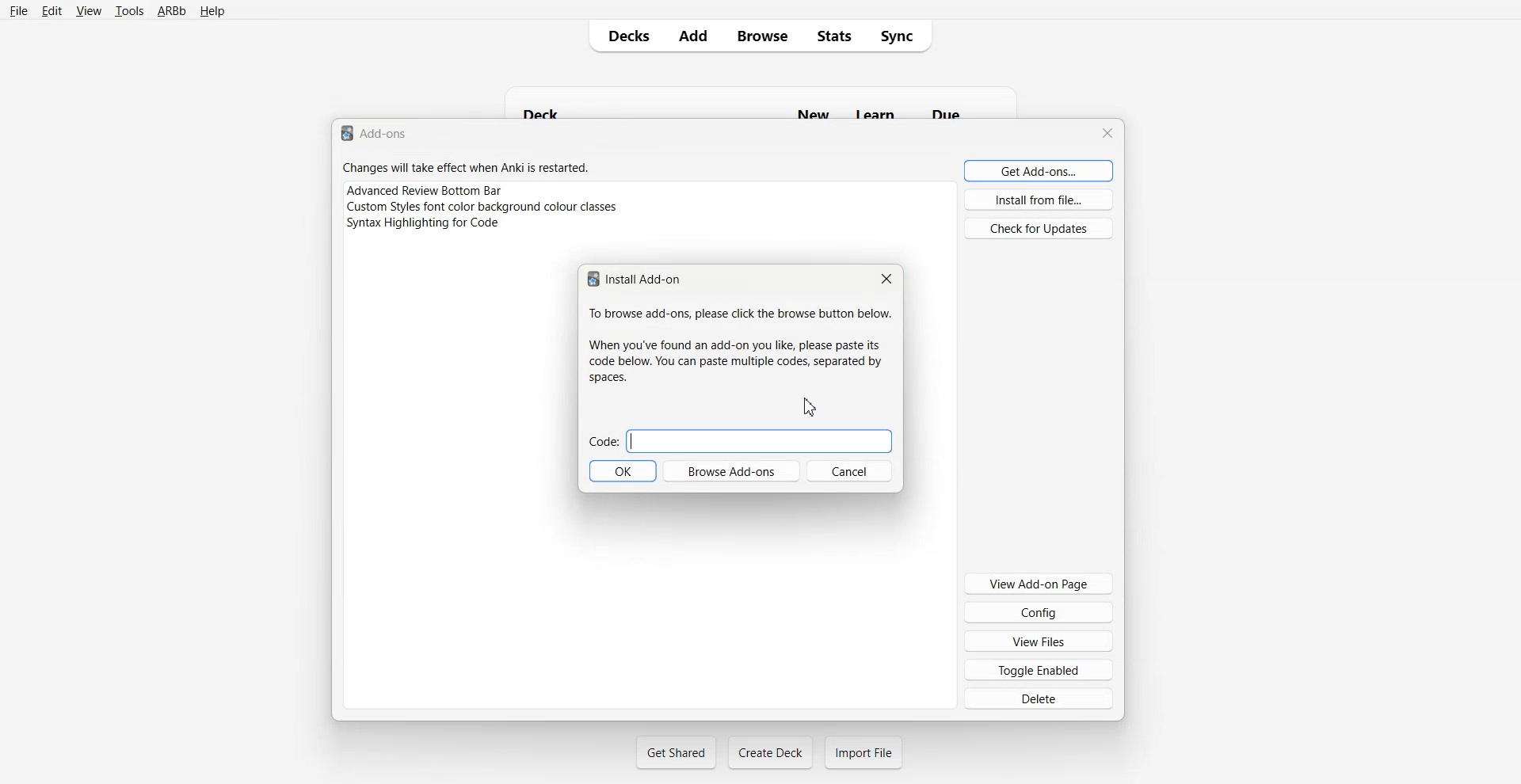 The height and width of the screenshot is (784, 1521). I want to click on OK, so click(622, 471).